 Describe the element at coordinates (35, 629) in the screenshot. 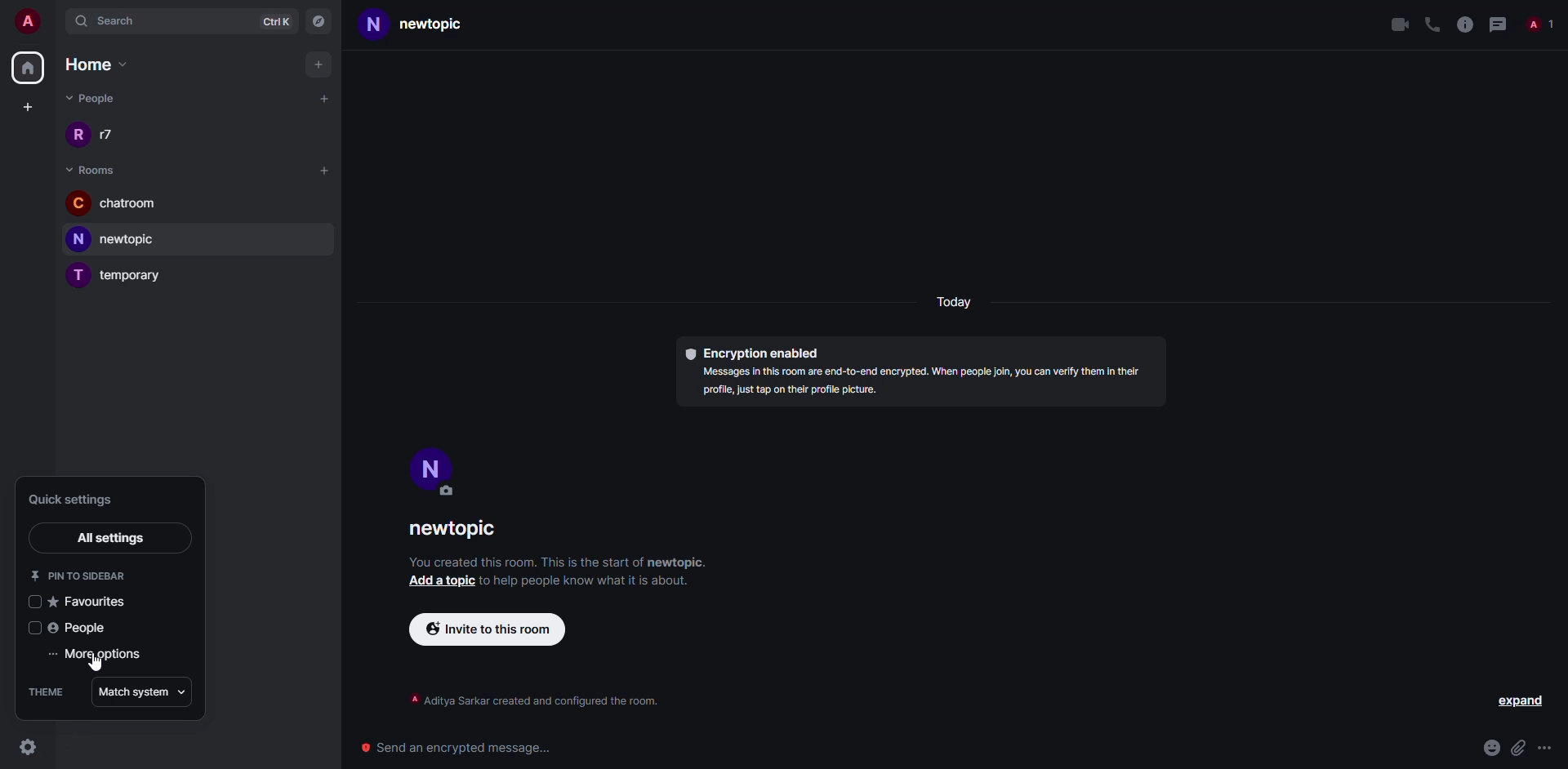

I see `select` at that location.